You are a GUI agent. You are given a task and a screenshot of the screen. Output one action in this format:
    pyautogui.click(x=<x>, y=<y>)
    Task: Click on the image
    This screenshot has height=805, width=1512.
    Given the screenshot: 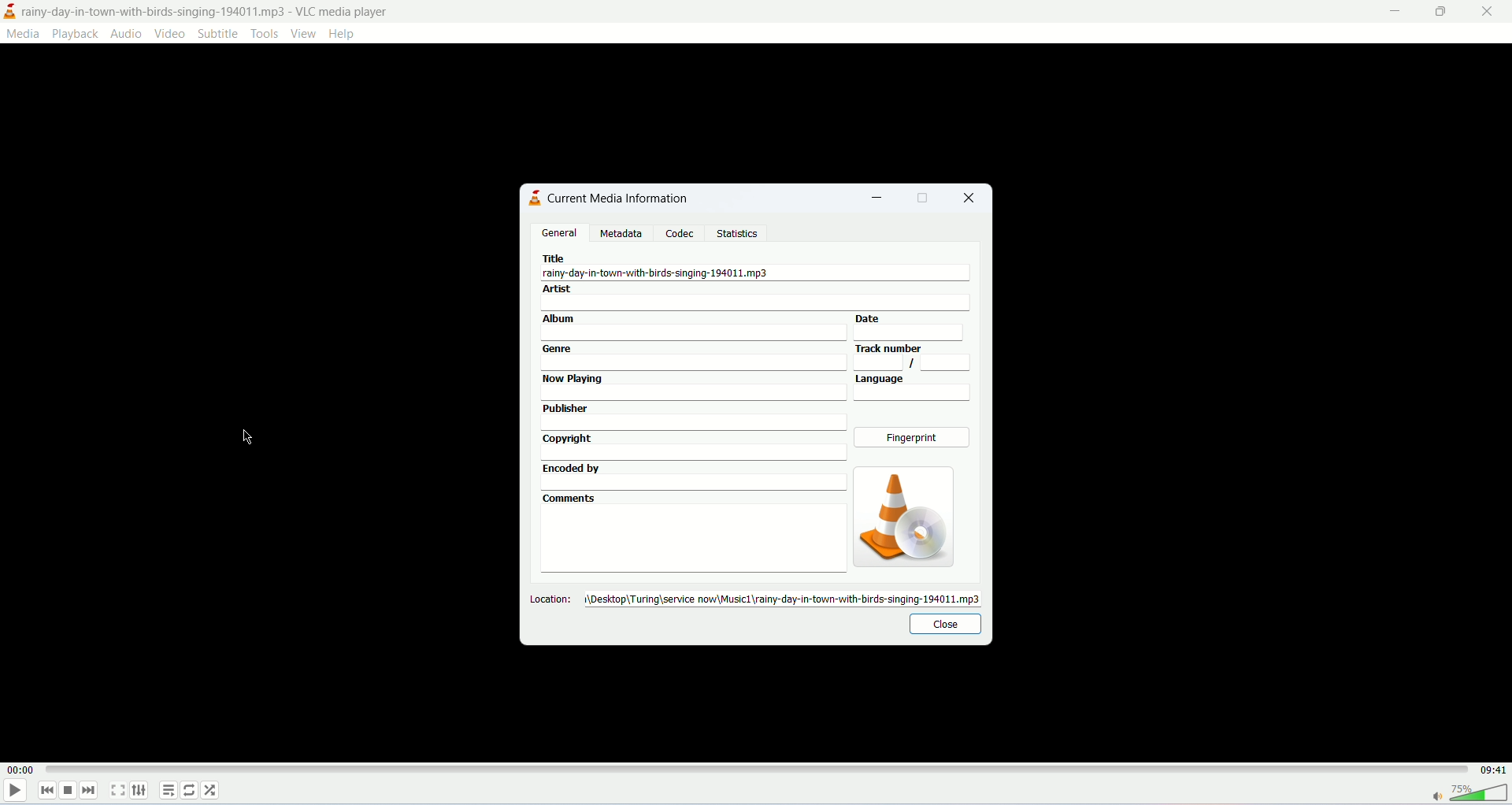 What is the action you would take?
    pyautogui.click(x=906, y=517)
    